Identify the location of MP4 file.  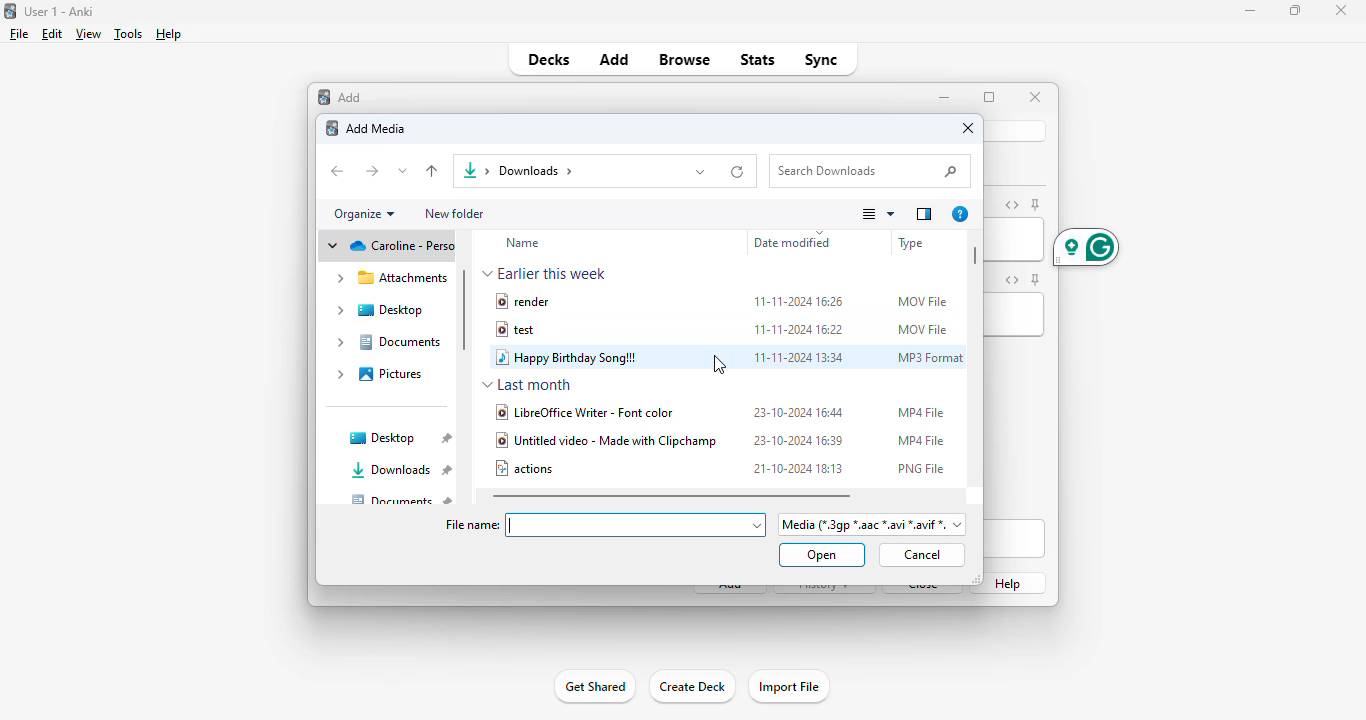
(921, 441).